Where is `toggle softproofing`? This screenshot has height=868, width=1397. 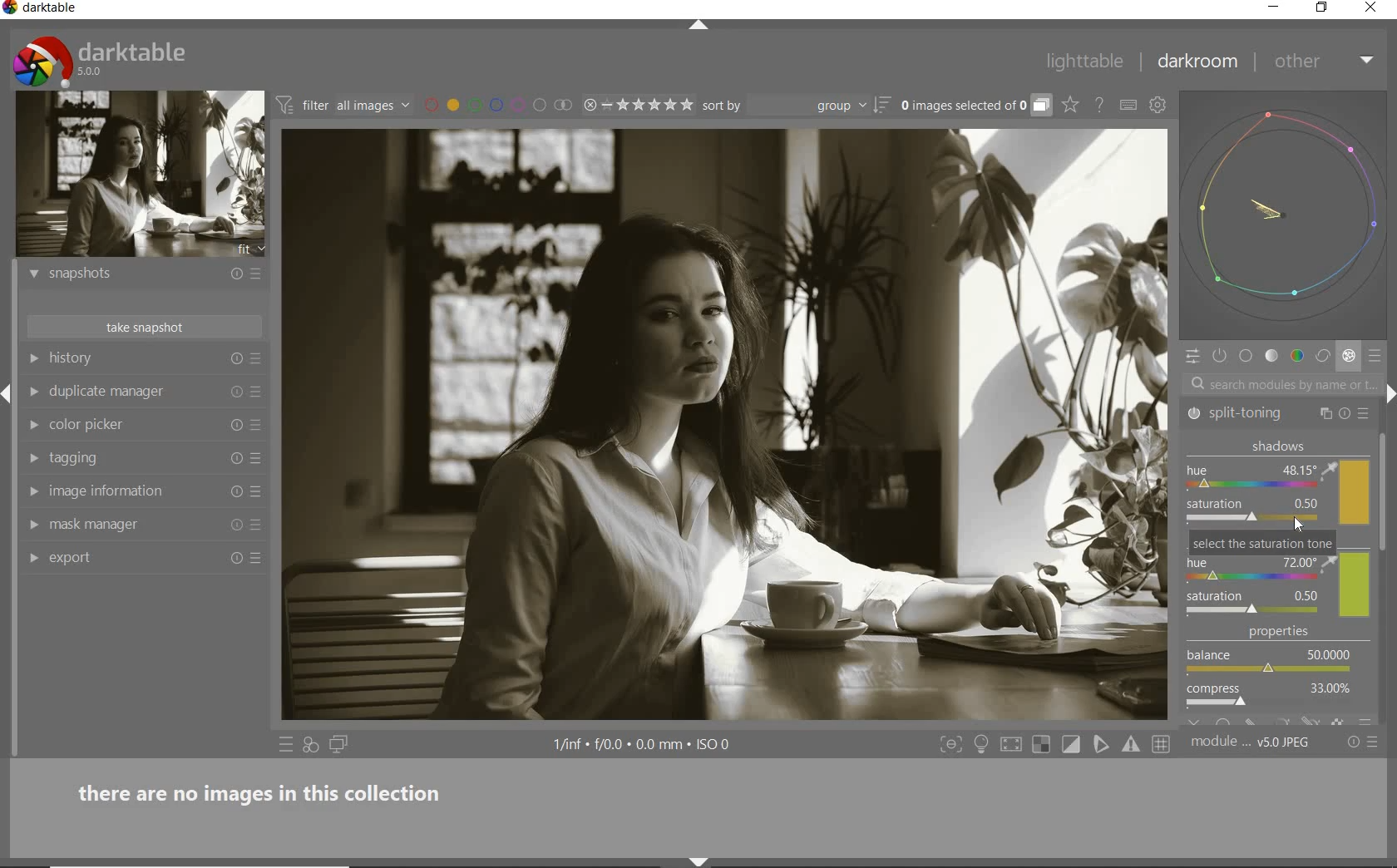
toggle softproofing is located at coordinates (1103, 747).